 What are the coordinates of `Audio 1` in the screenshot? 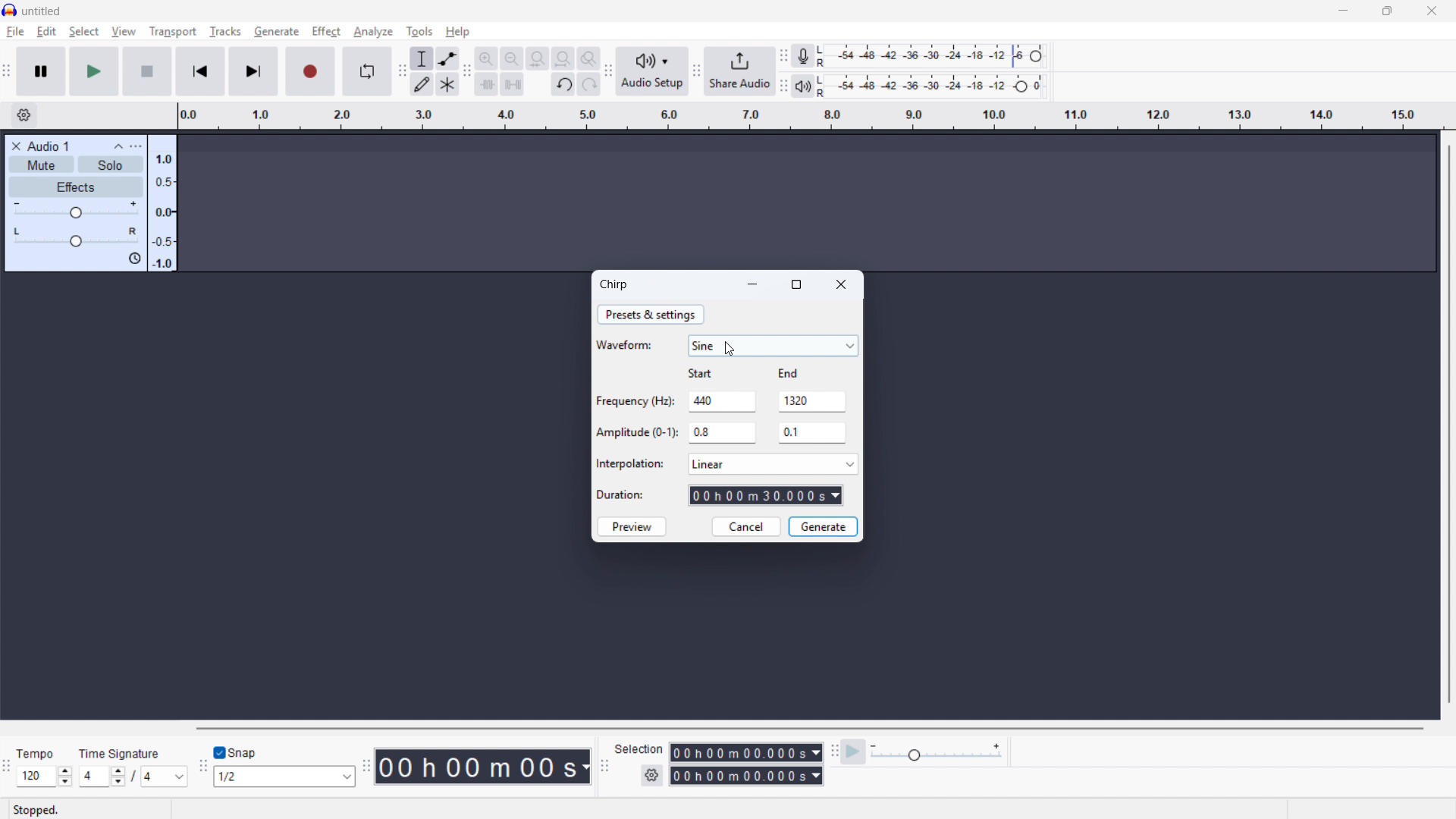 It's located at (49, 146).